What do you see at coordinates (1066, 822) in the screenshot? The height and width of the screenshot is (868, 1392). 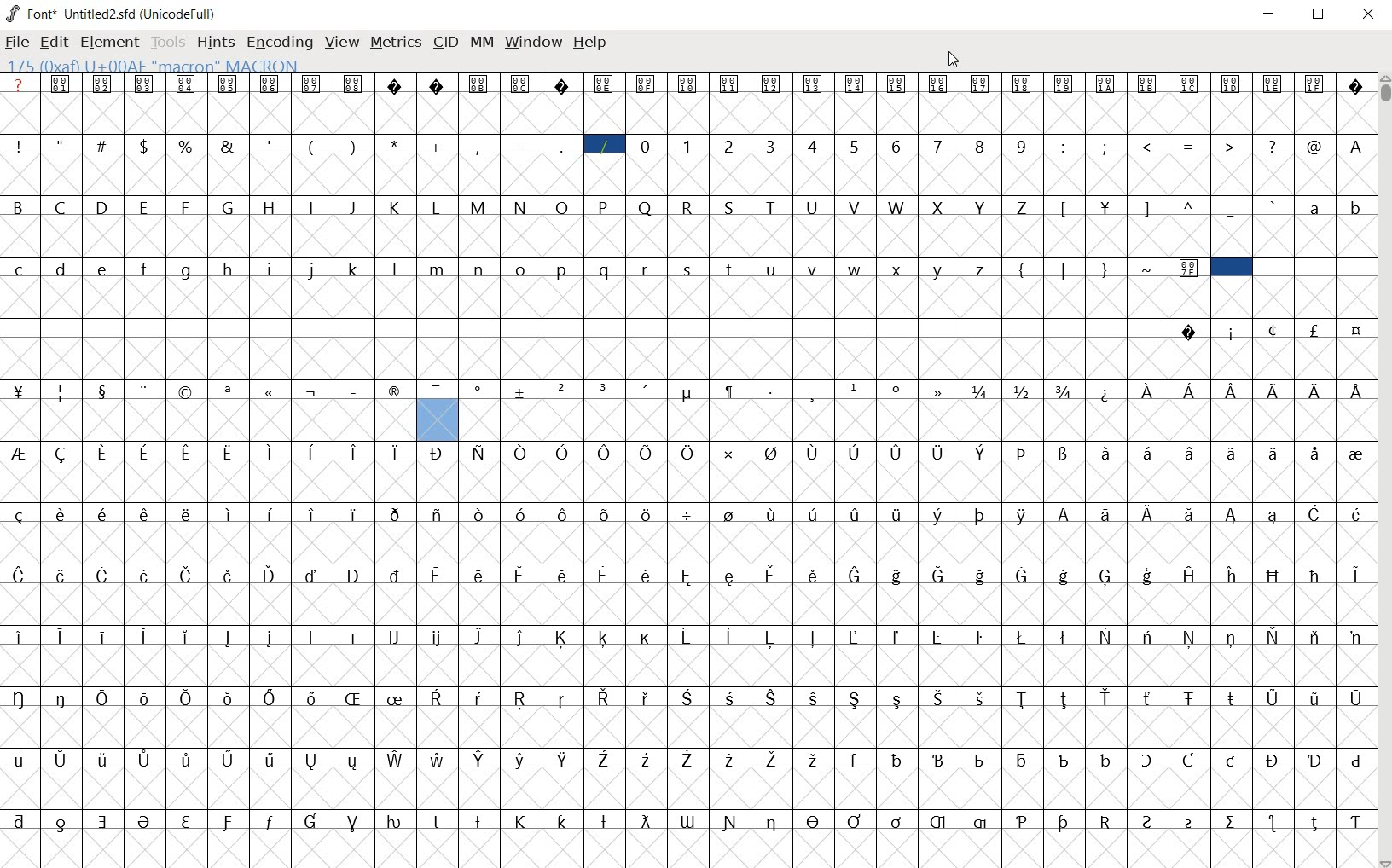 I see `Symbol` at bounding box center [1066, 822].